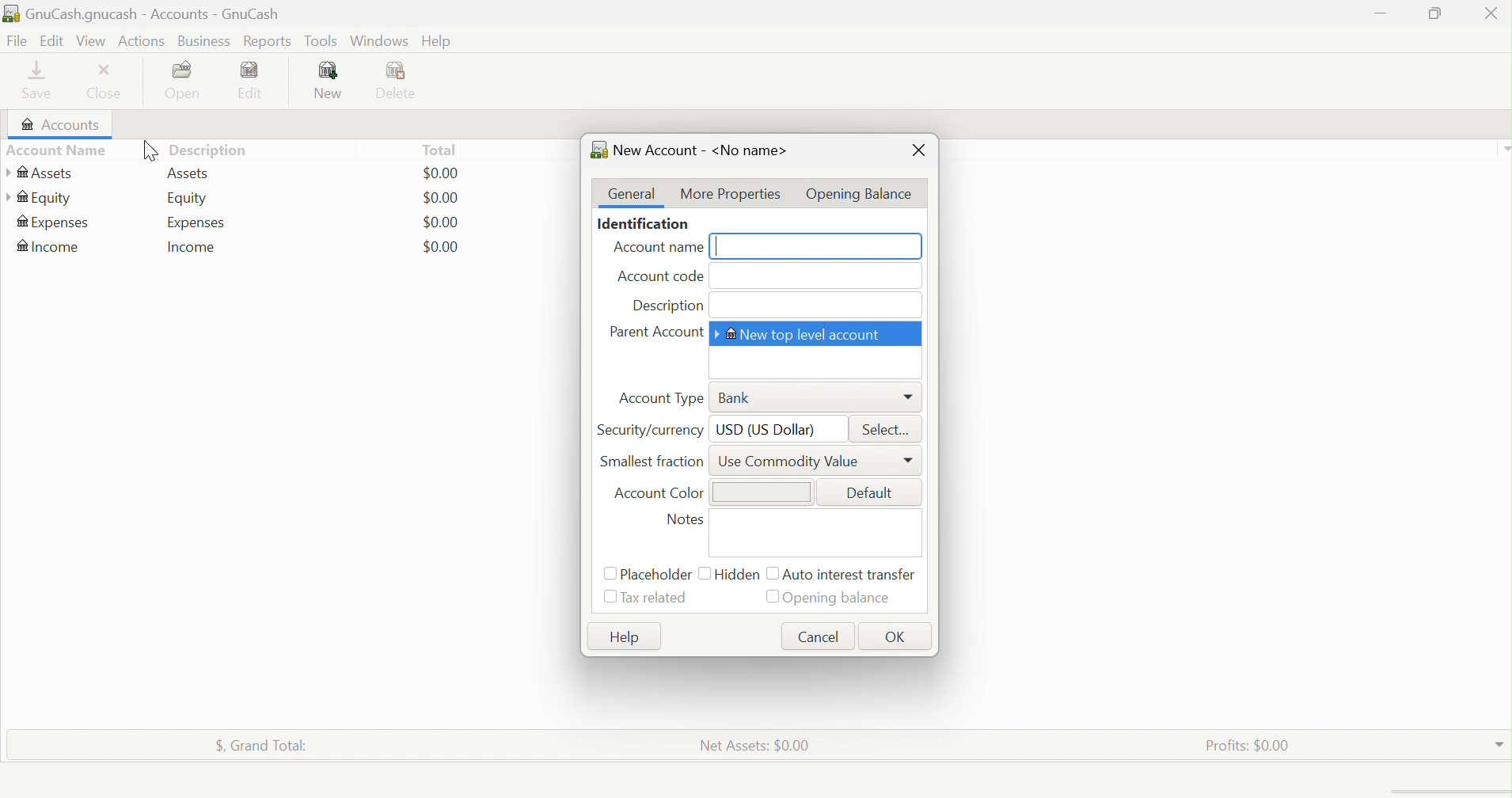 This screenshot has height=798, width=1512. I want to click on Hidden, so click(739, 573).